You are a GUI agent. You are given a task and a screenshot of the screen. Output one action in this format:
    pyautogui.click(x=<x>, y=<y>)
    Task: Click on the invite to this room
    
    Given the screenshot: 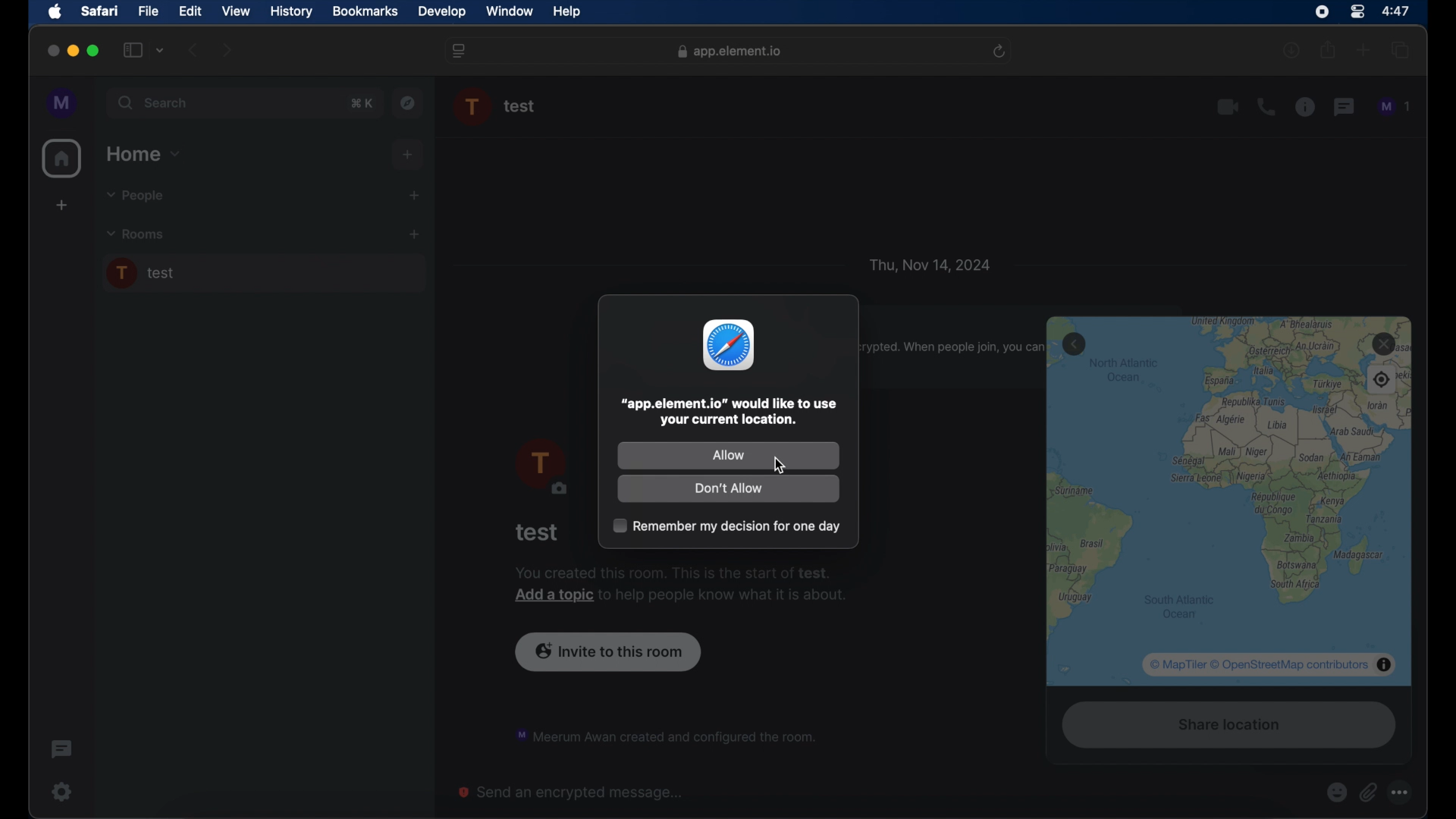 What is the action you would take?
    pyautogui.click(x=608, y=650)
    